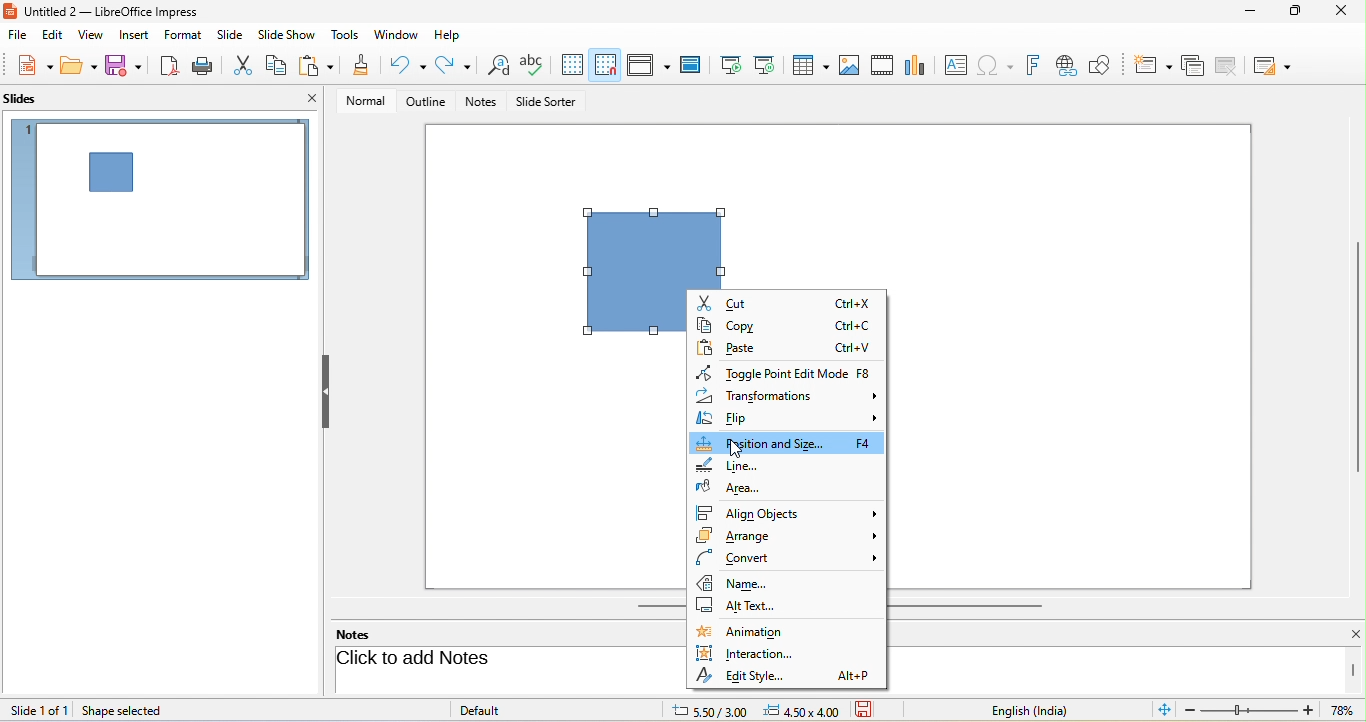 This screenshot has height=722, width=1366. Describe the element at coordinates (312, 98) in the screenshot. I see `close` at that location.